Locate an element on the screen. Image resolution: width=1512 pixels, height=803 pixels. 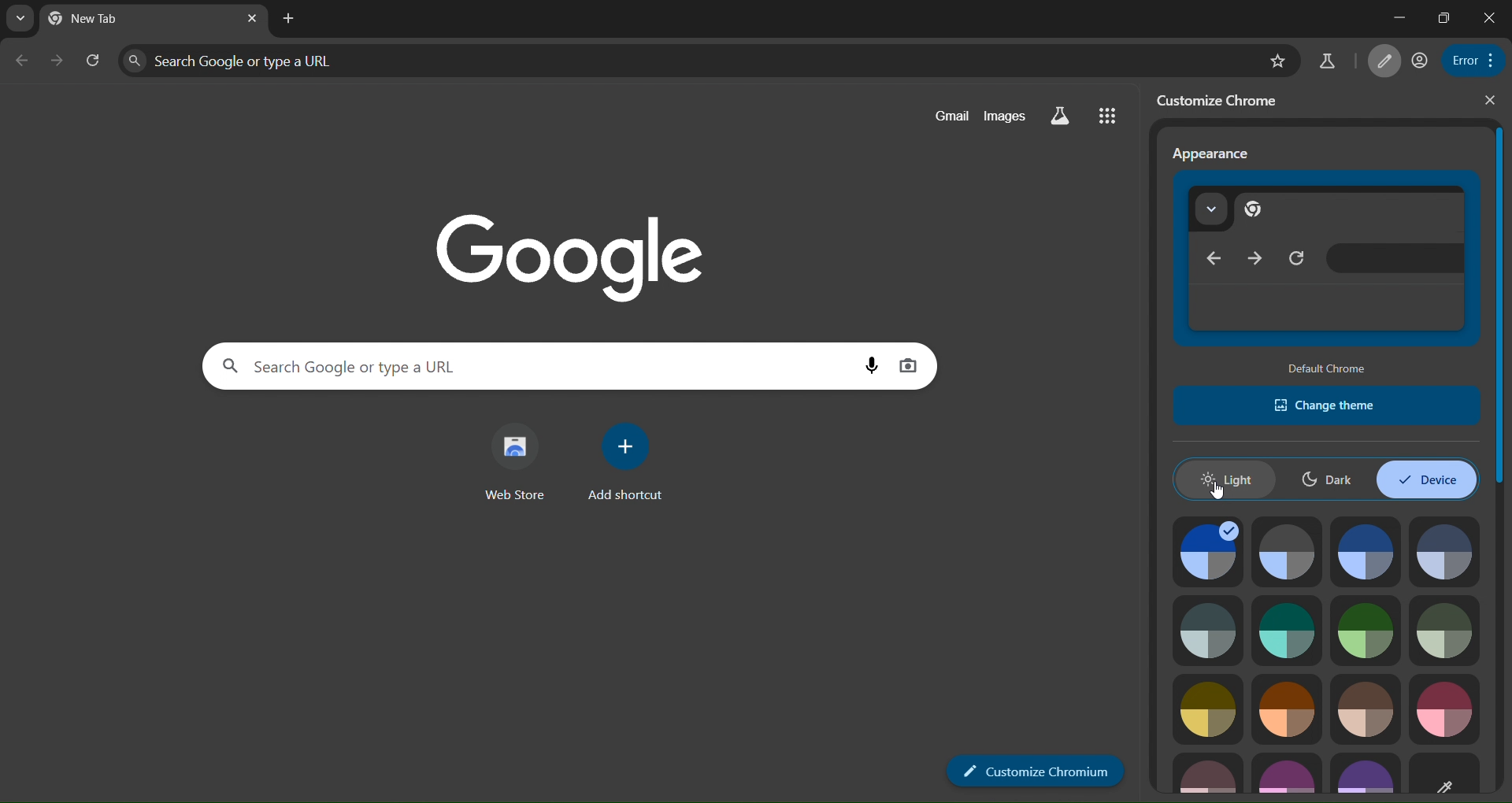
image is located at coordinates (1445, 631).